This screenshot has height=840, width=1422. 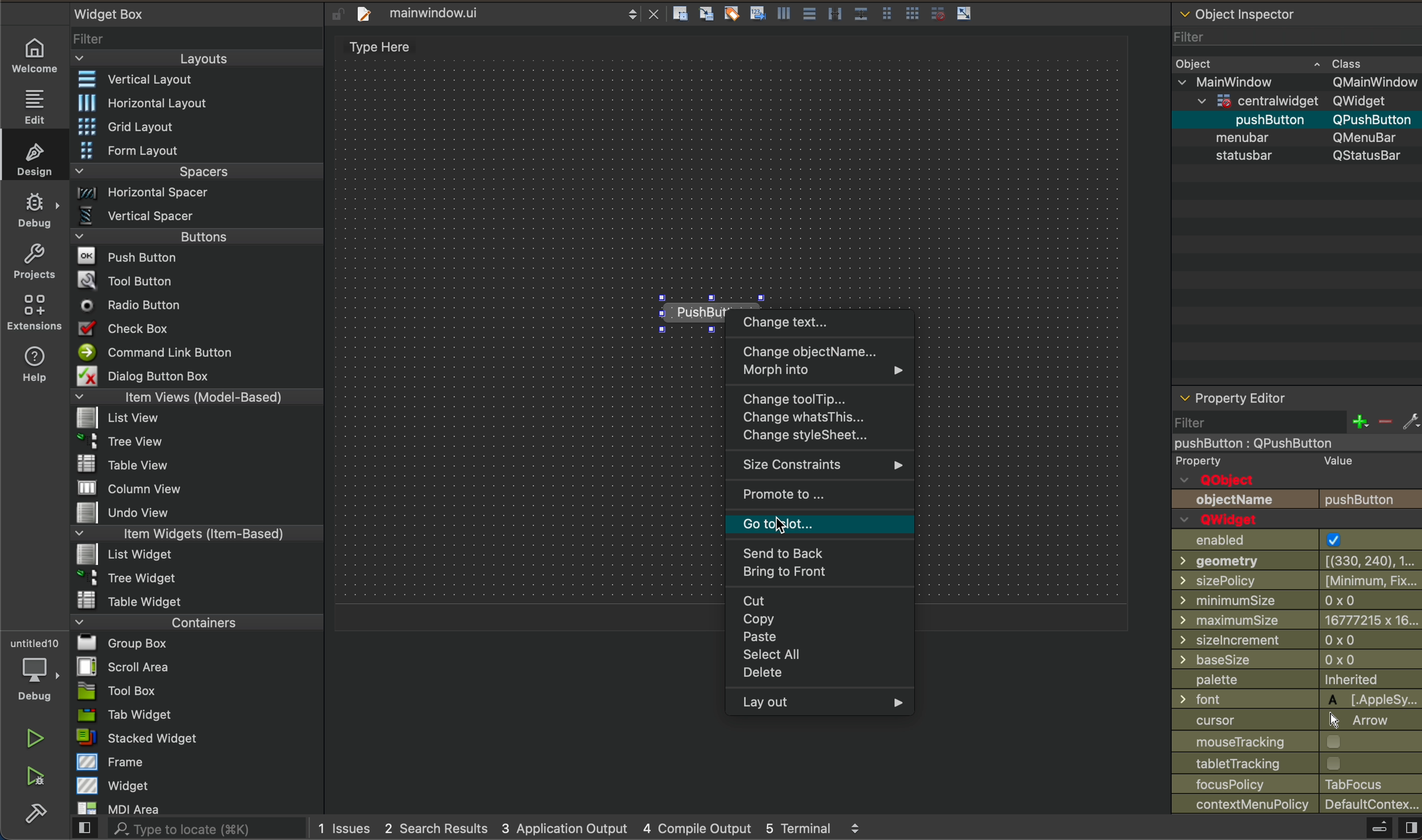 What do you see at coordinates (35, 53) in the screenshot?
I see `home` at bounding box center [35, 53].